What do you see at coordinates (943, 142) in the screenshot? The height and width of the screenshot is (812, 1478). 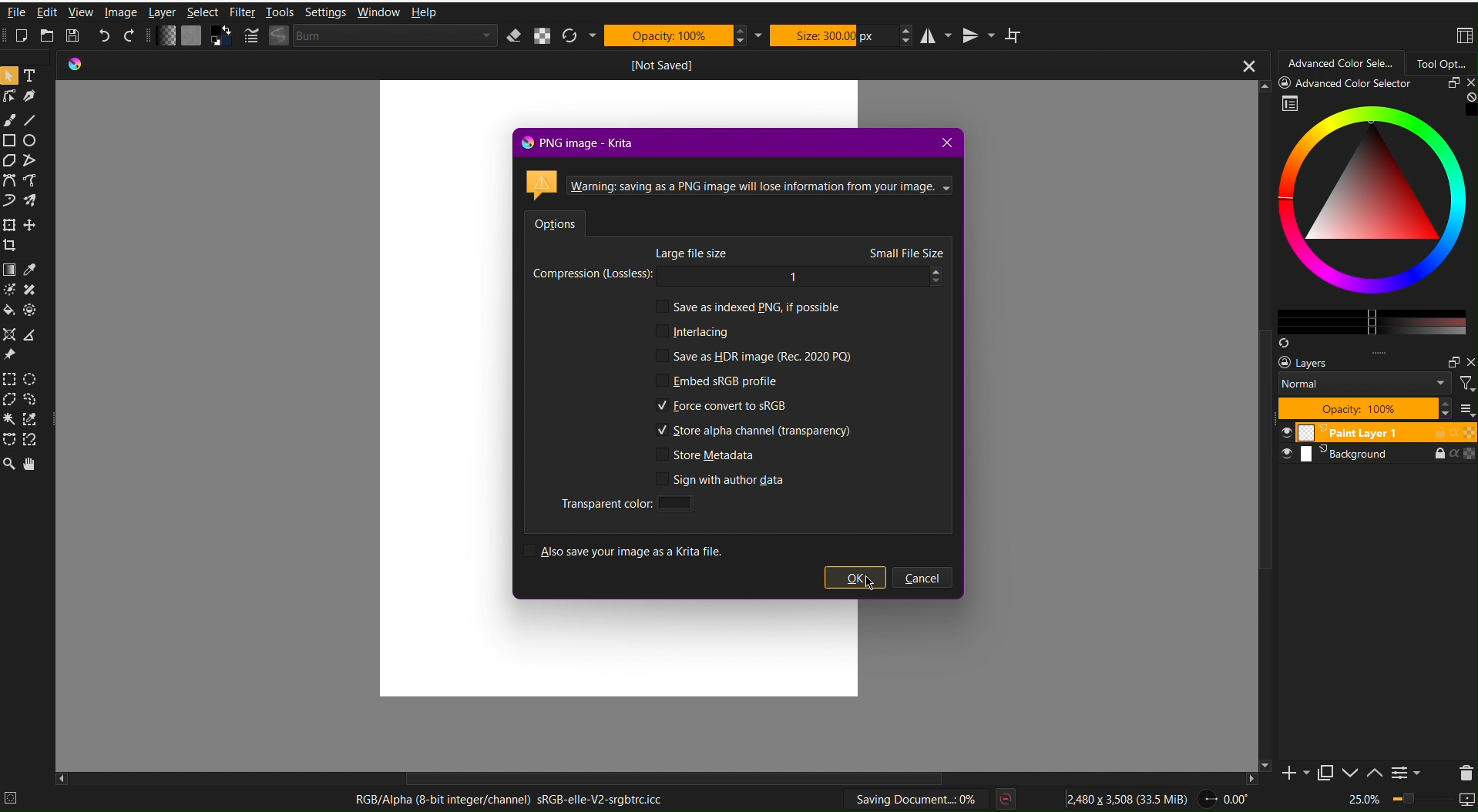 I see `Close` at bounding box center [943, 142].